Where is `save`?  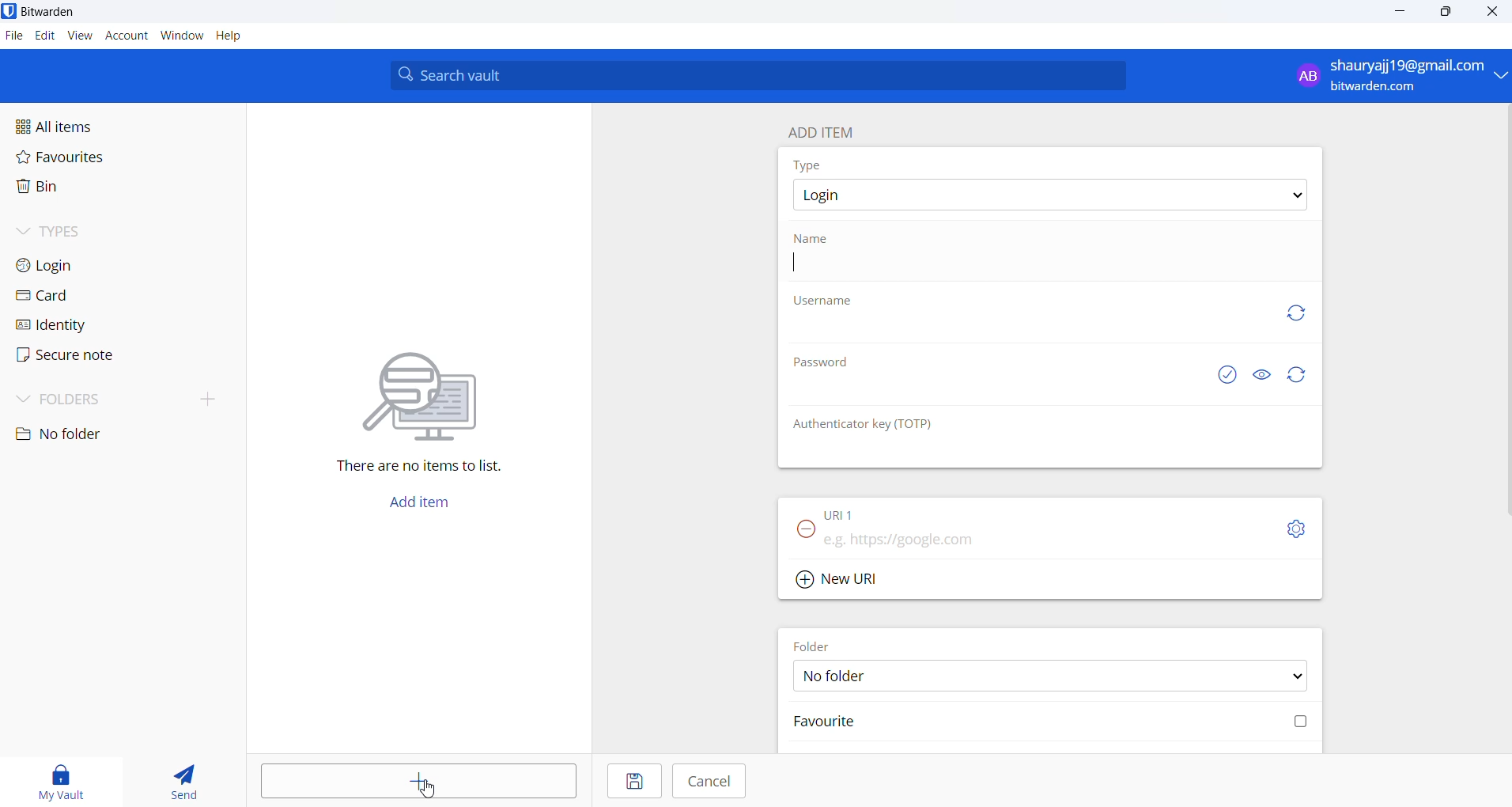 save is located at coordinates (633, 781).